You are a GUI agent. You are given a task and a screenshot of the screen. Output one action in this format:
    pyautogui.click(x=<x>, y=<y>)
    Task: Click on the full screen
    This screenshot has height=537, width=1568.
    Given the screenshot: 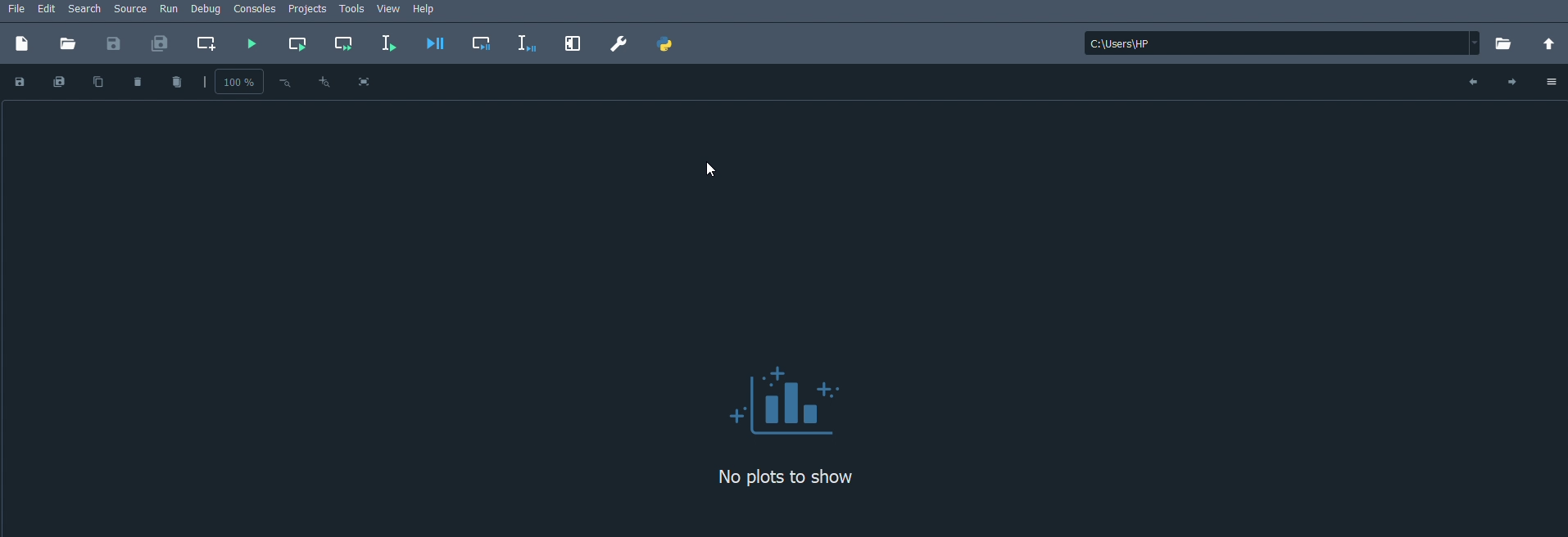 What is the action you would take?
    pyautogui.click(x=365, y=81)
    